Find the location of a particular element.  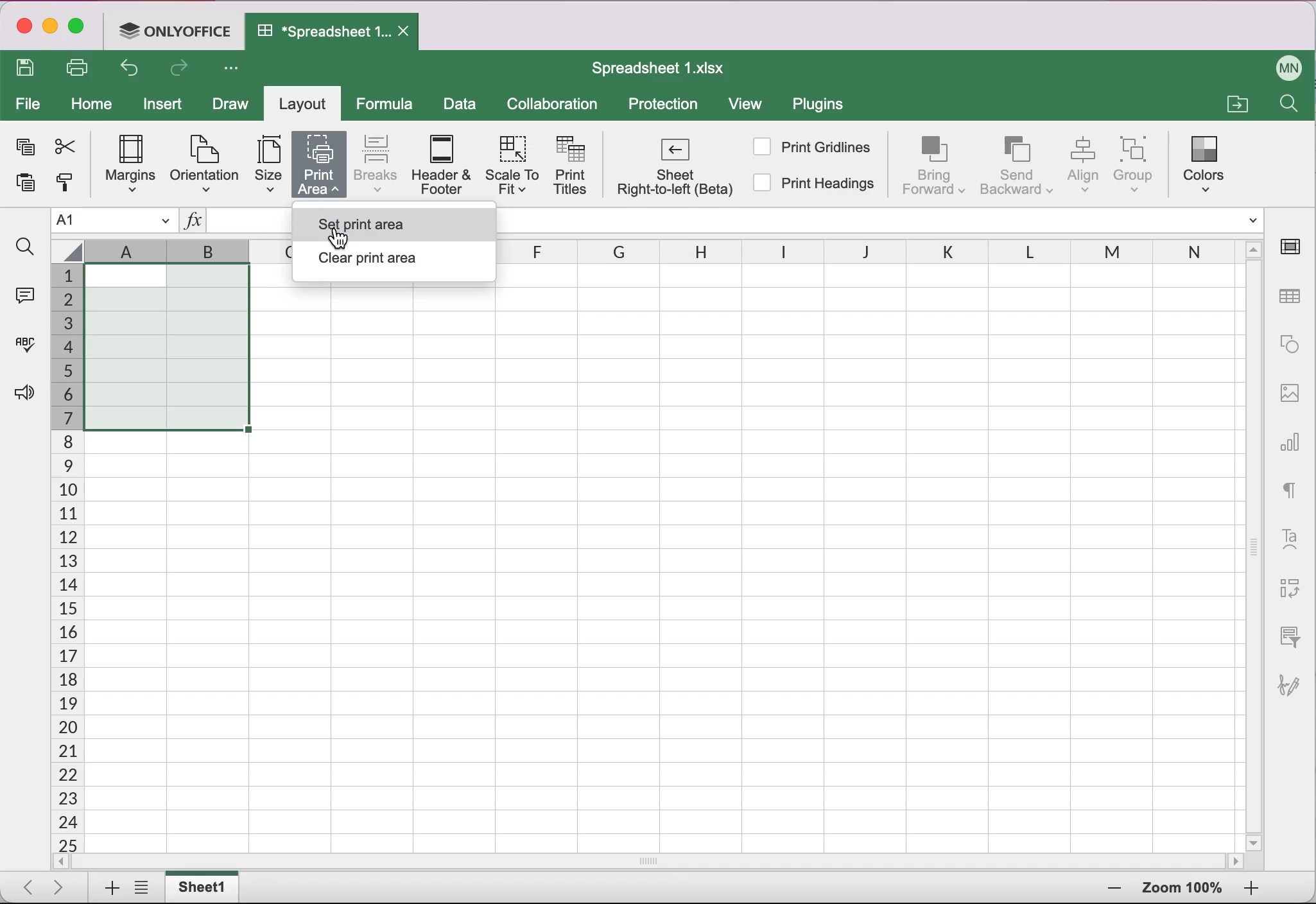

chart is located at coordinates (1292, 437).